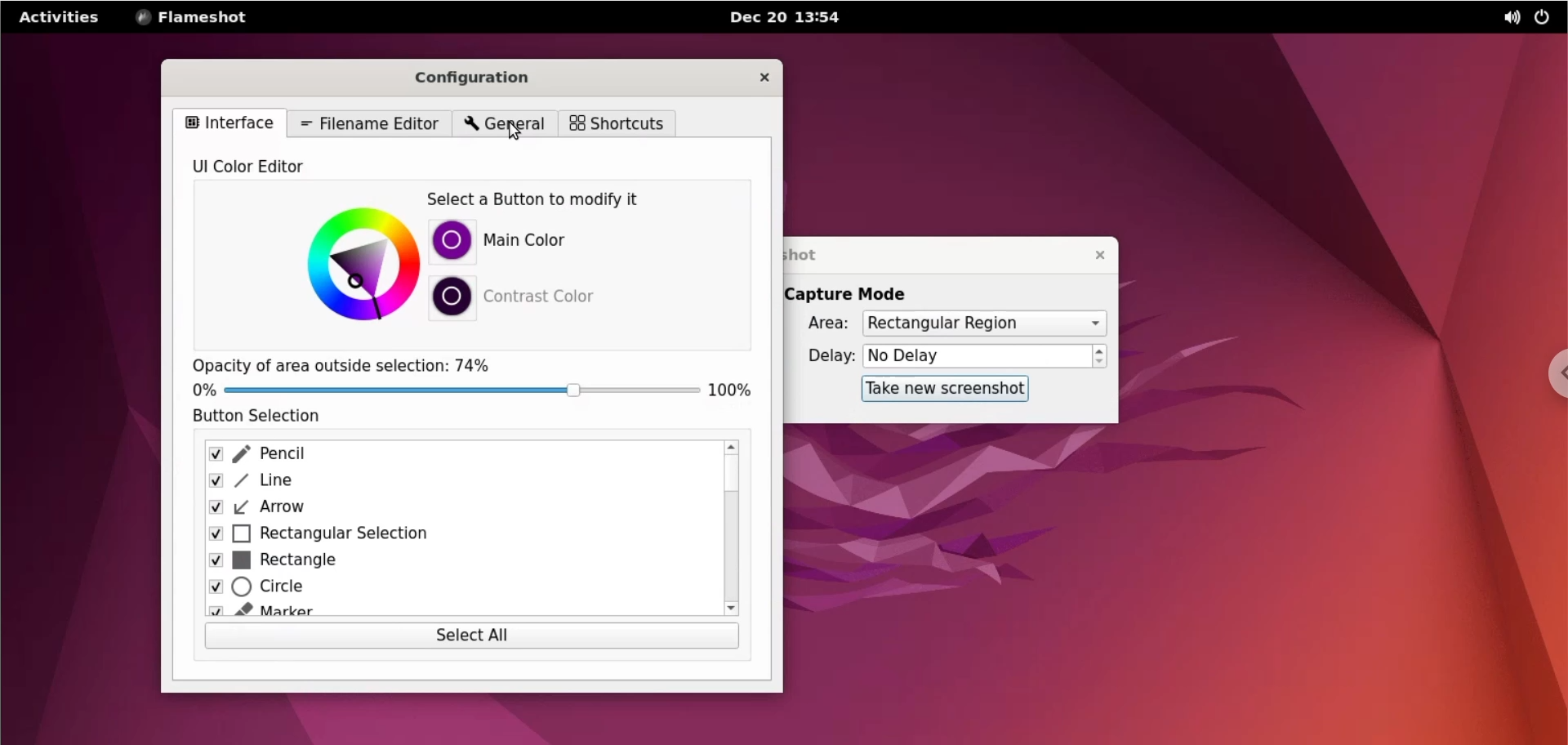 This screenshot has height=745, width=1568. Describe the element at coordinates (1097, 256) in the screenshot. I see `close` at that location.